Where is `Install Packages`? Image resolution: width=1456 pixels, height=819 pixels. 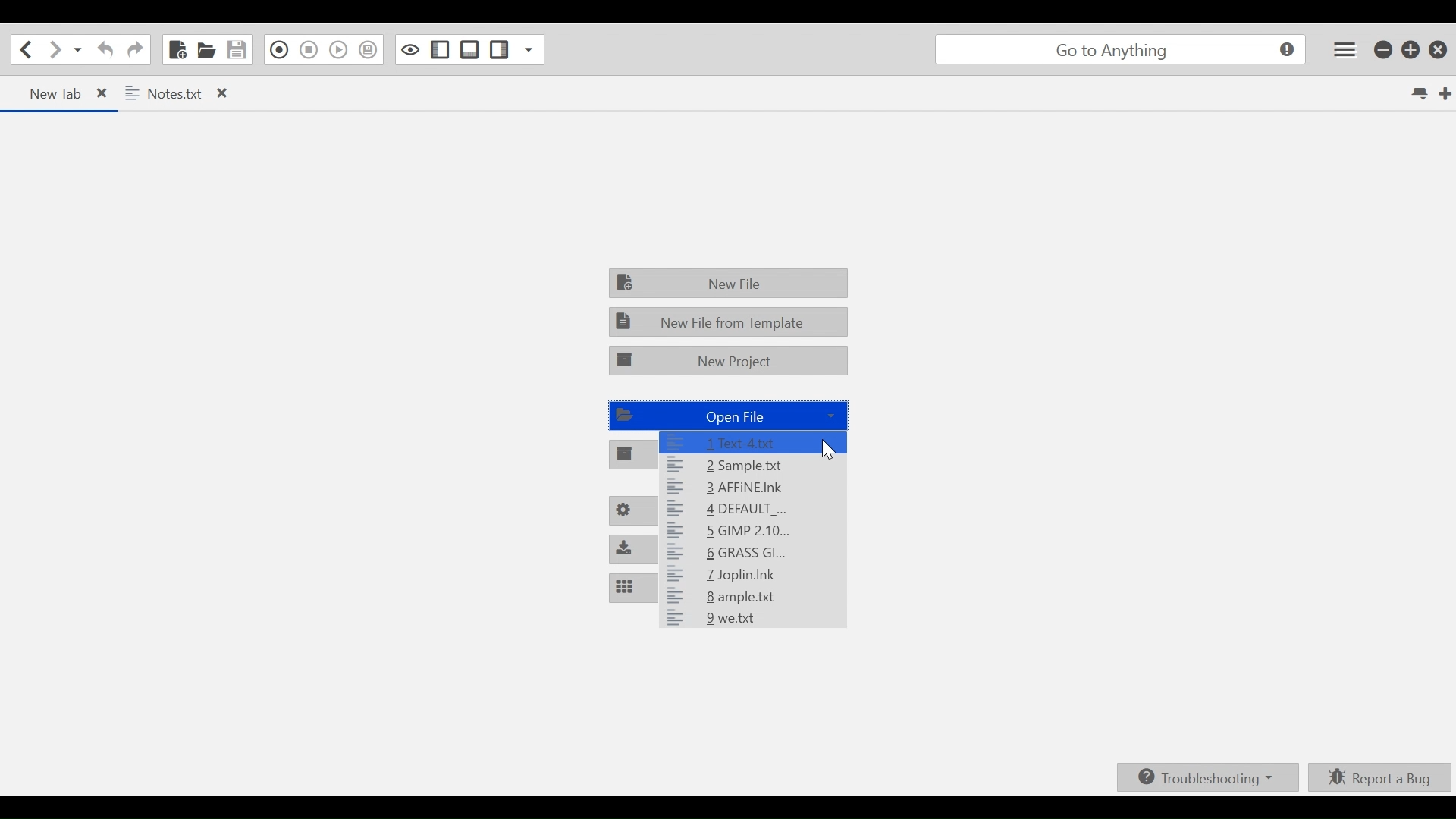
Install Packages is located at coordinates (635, 548).